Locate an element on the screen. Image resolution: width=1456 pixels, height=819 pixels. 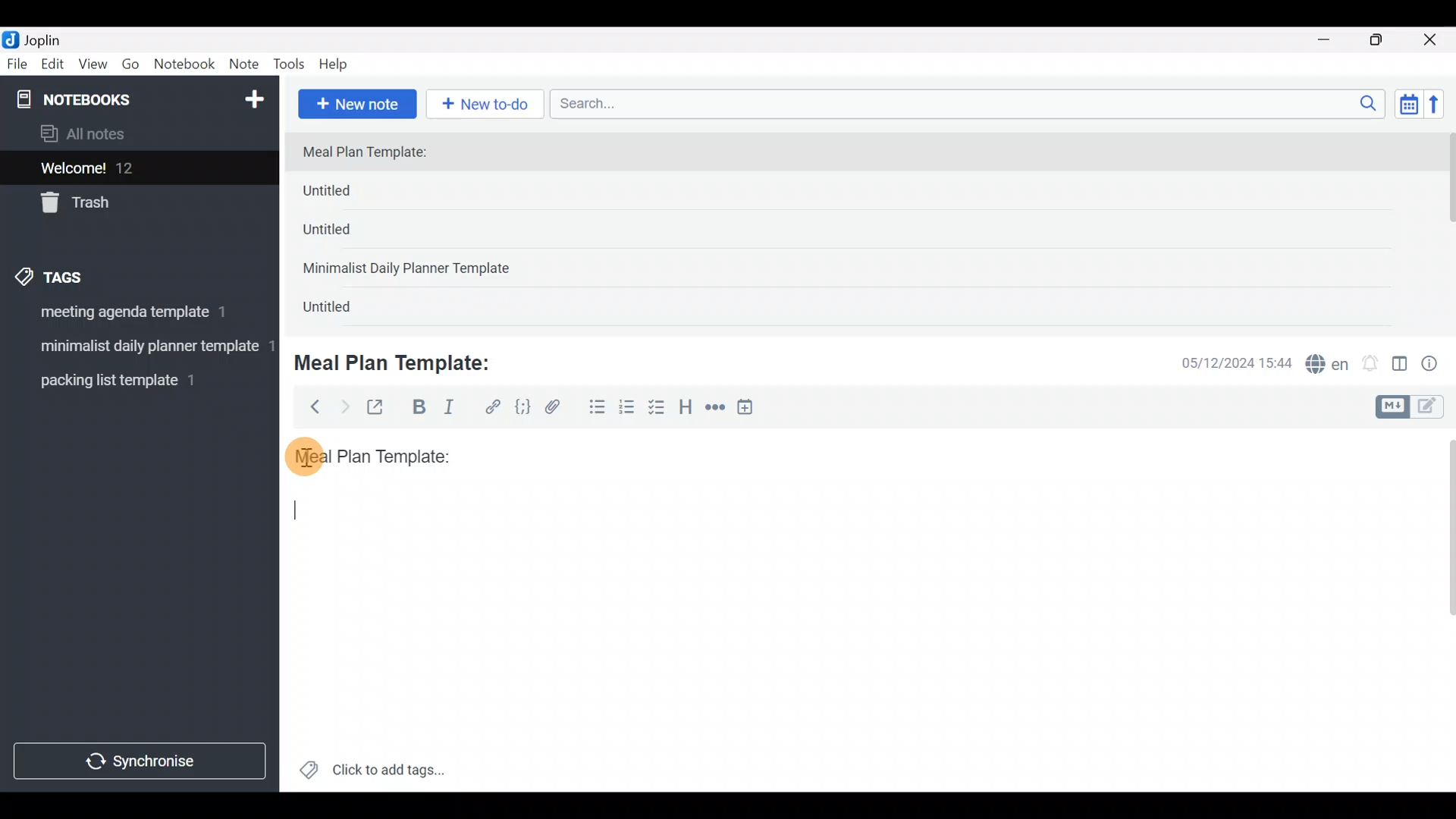
Scroll bar is located at coordinates (1440, 610).